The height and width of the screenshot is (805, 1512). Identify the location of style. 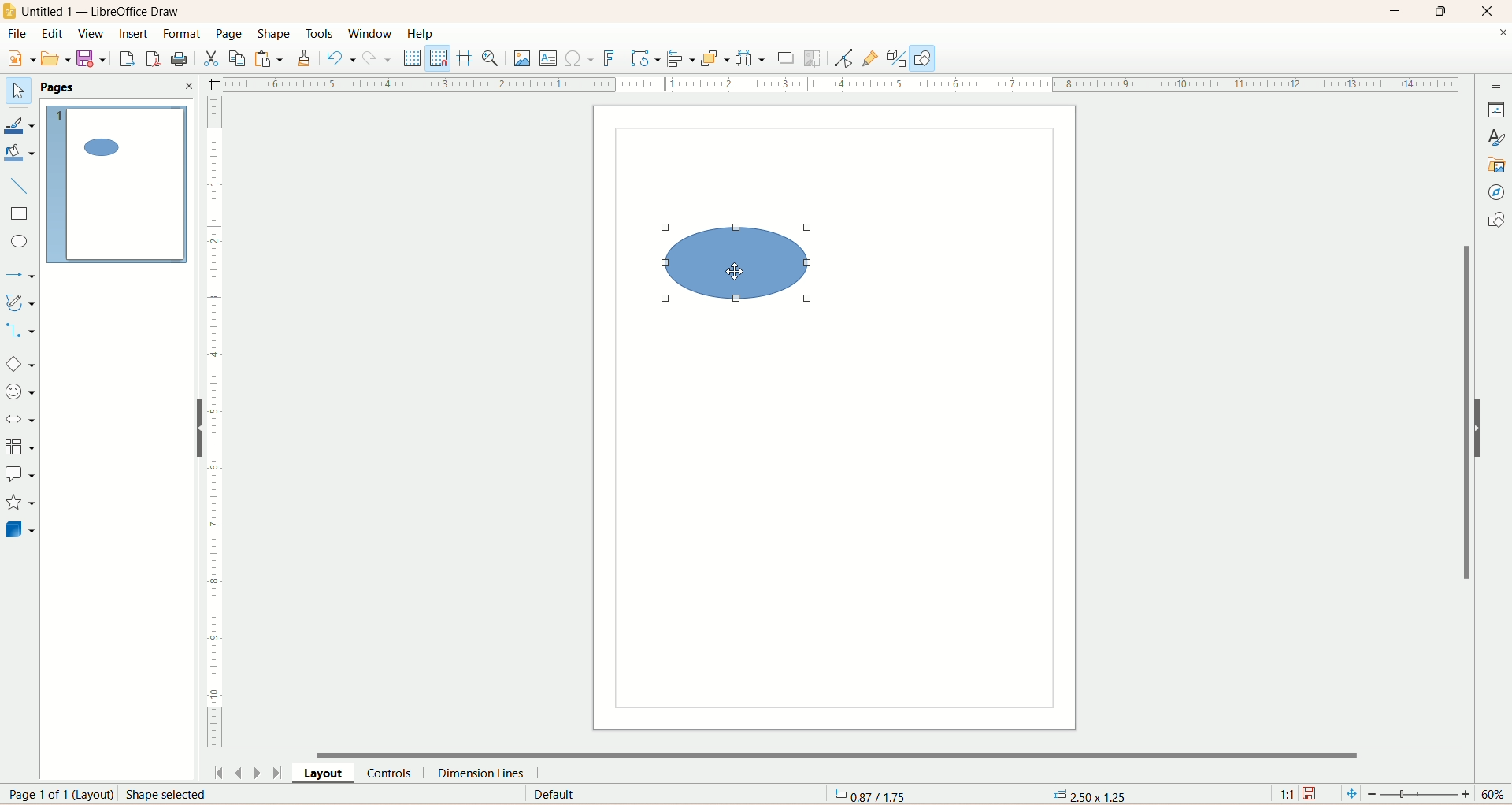
(1496, 135).